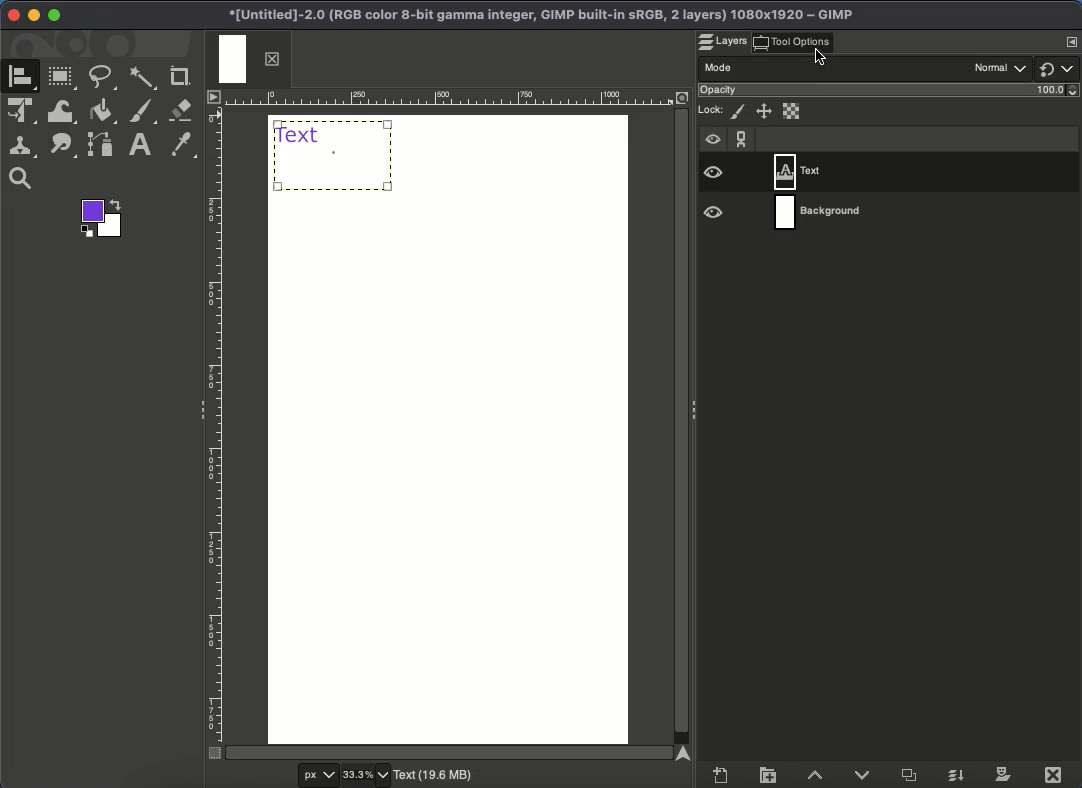 The width and height of the screenshot is (1082, 788). What do you see at coordinates (64, 146) in the screenshot?
I see `Path` at bounding box center [64, 146].